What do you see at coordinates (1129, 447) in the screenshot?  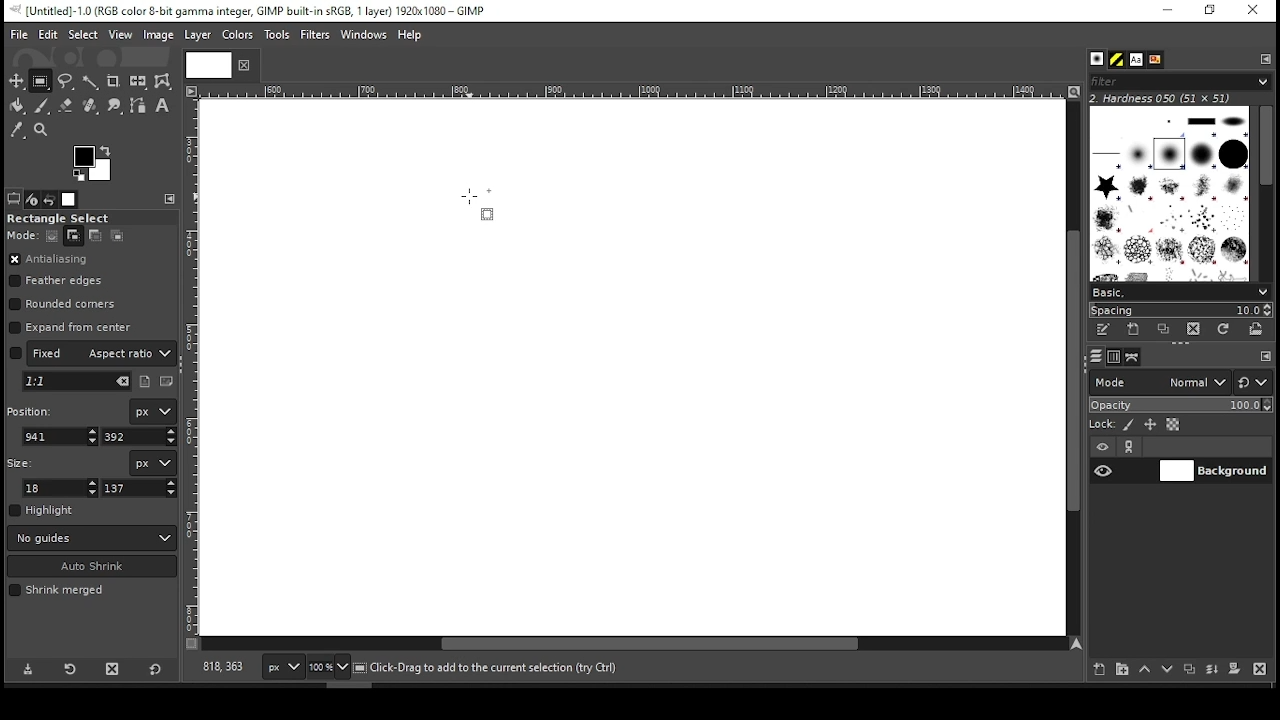 I see `link` at bounding box center [1129, 447].